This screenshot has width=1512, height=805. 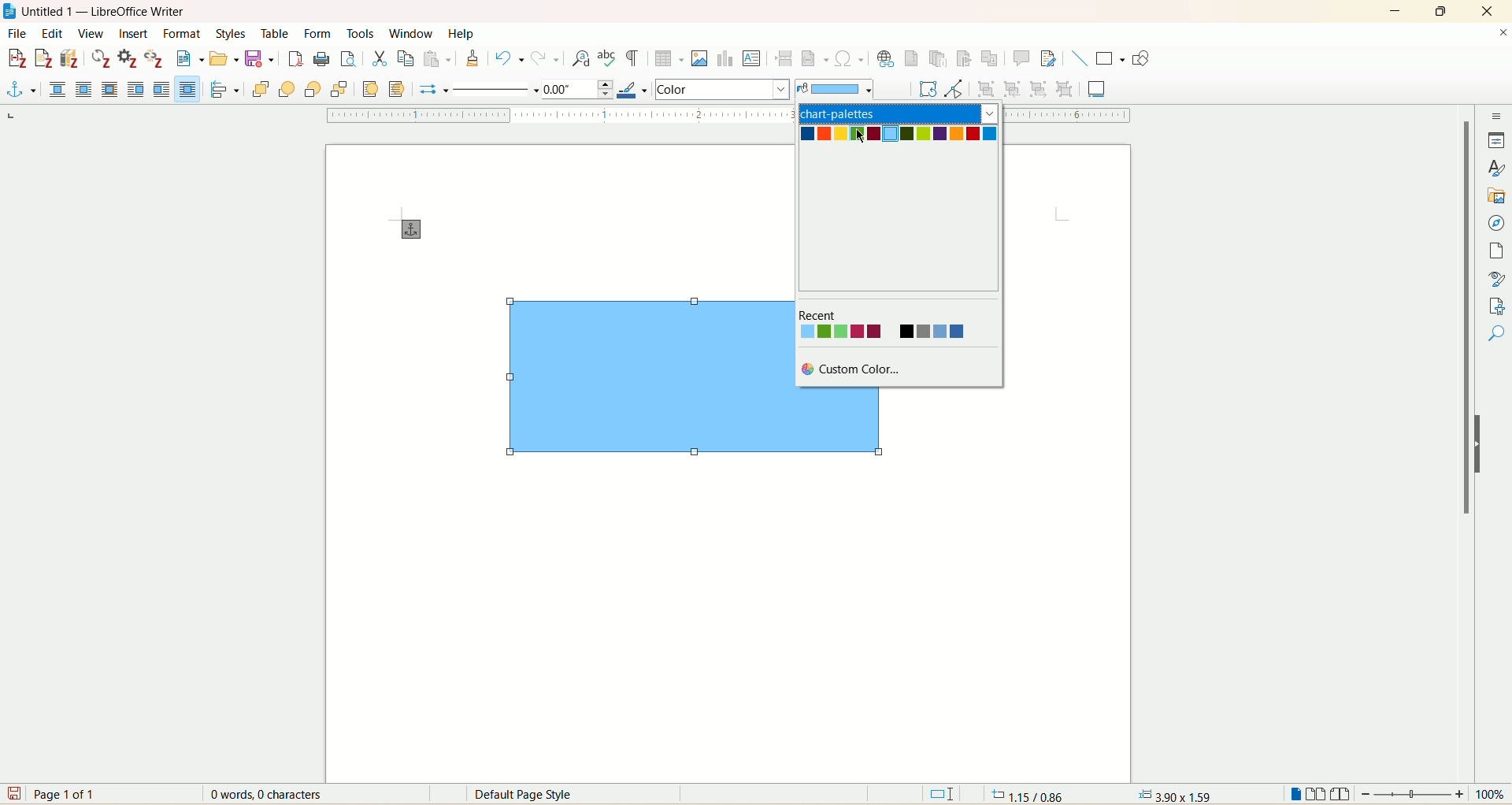 I want to click on edit, so click(x=50, y=33).